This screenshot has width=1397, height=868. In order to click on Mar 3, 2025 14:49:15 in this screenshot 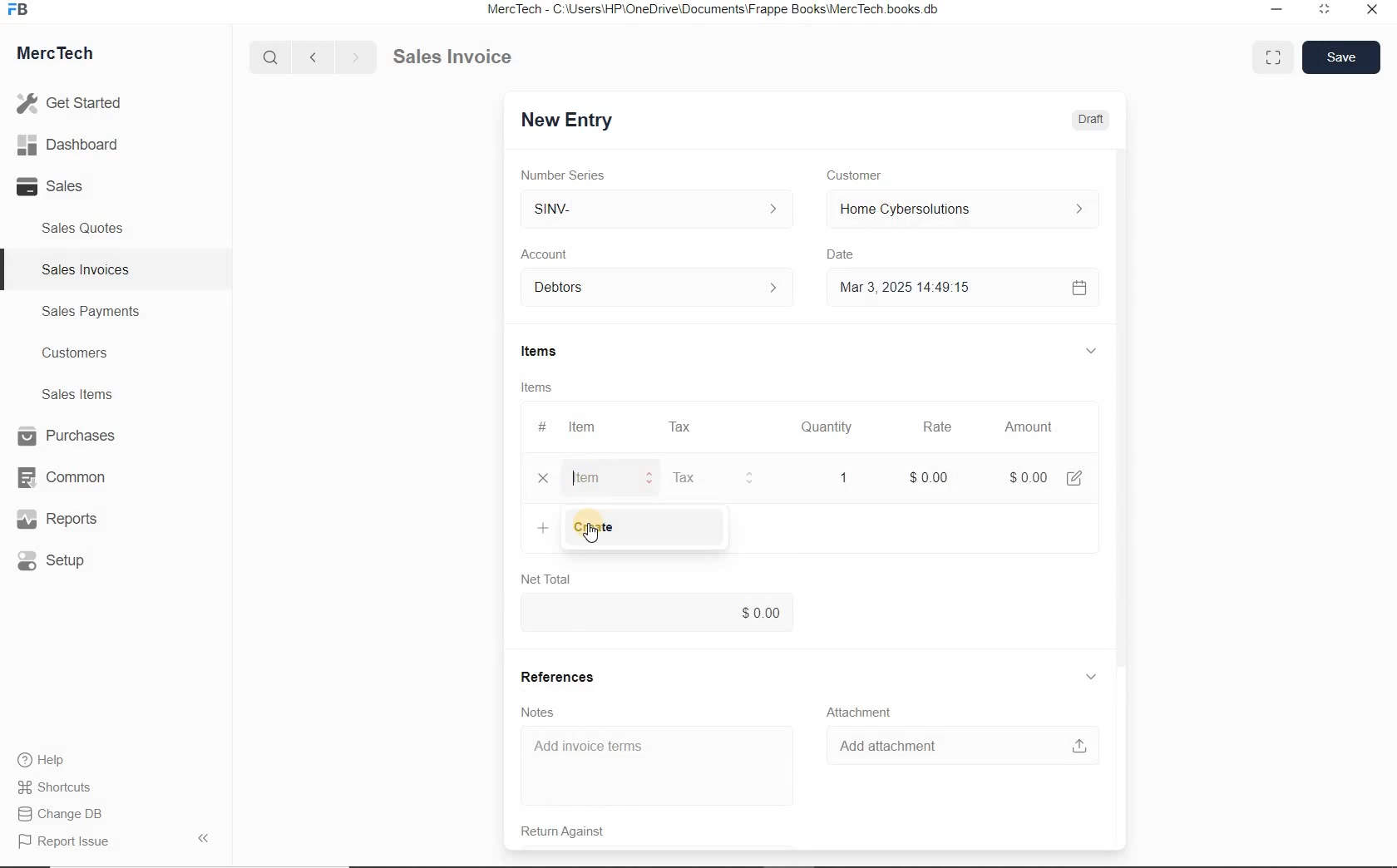, I will do `click(910, 287)`.